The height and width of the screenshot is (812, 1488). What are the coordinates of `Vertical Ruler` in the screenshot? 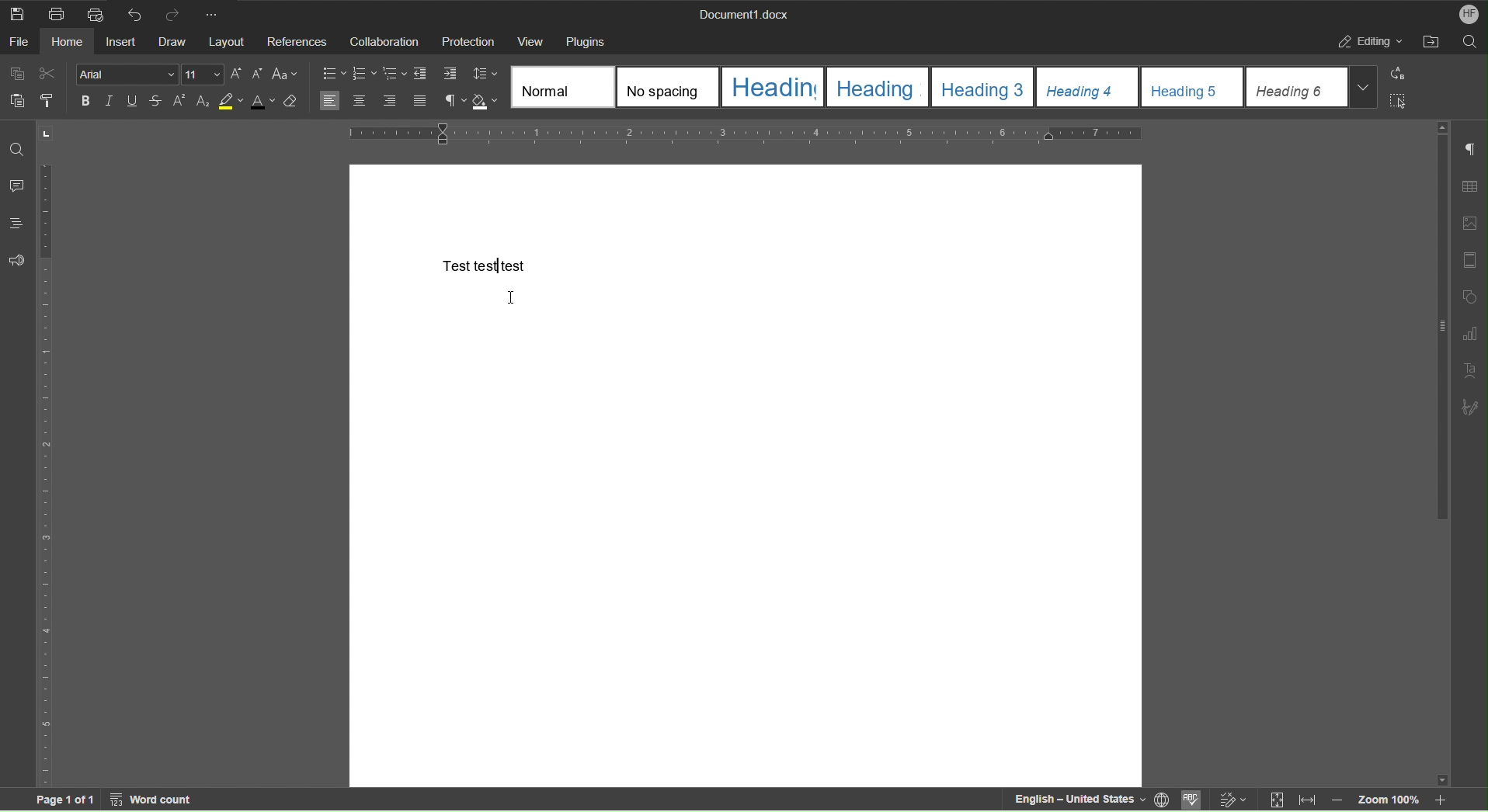 It's located at (45, 473).